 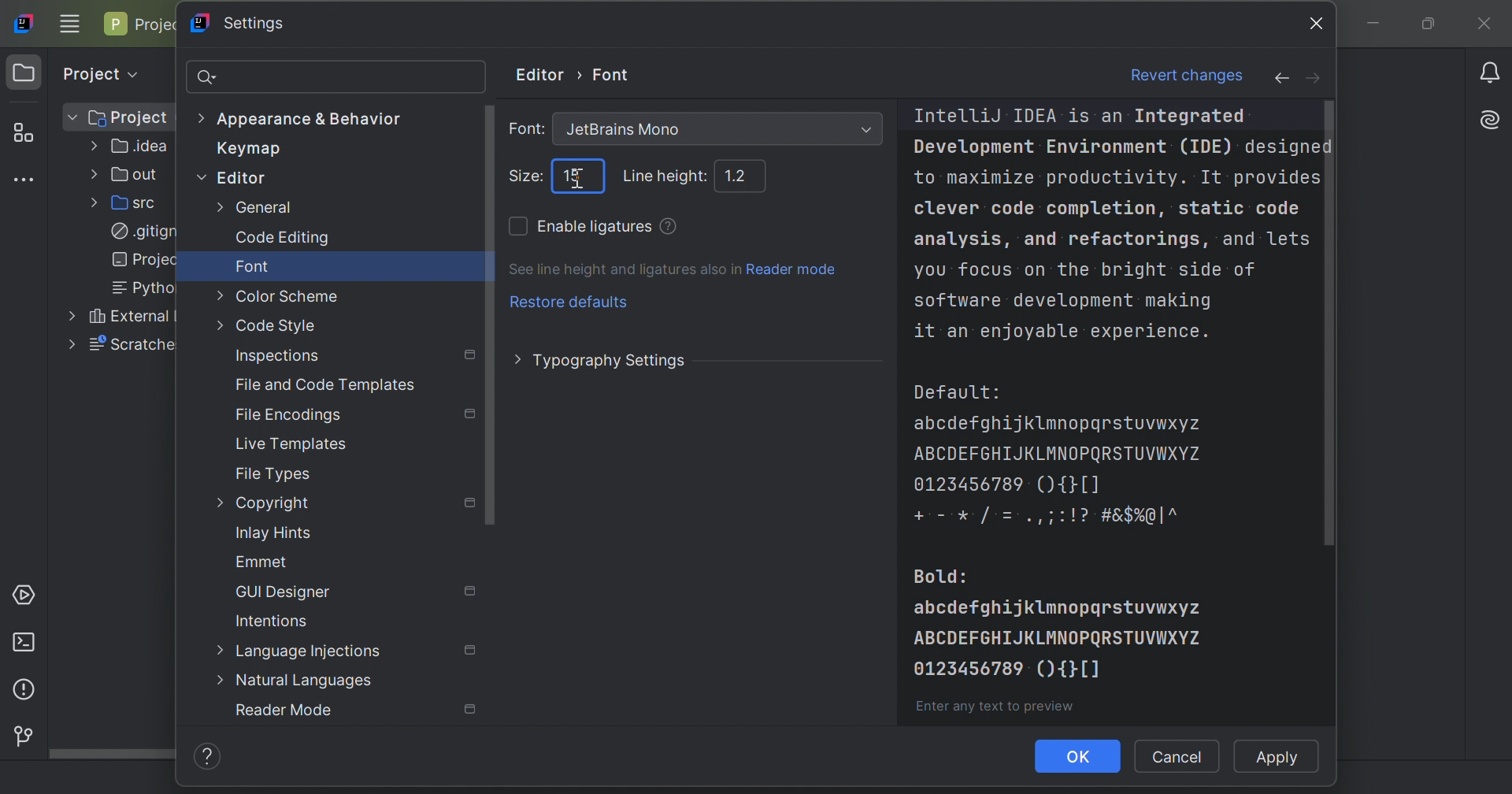 I want to click on File Encodings, so click(x=289, y=417).